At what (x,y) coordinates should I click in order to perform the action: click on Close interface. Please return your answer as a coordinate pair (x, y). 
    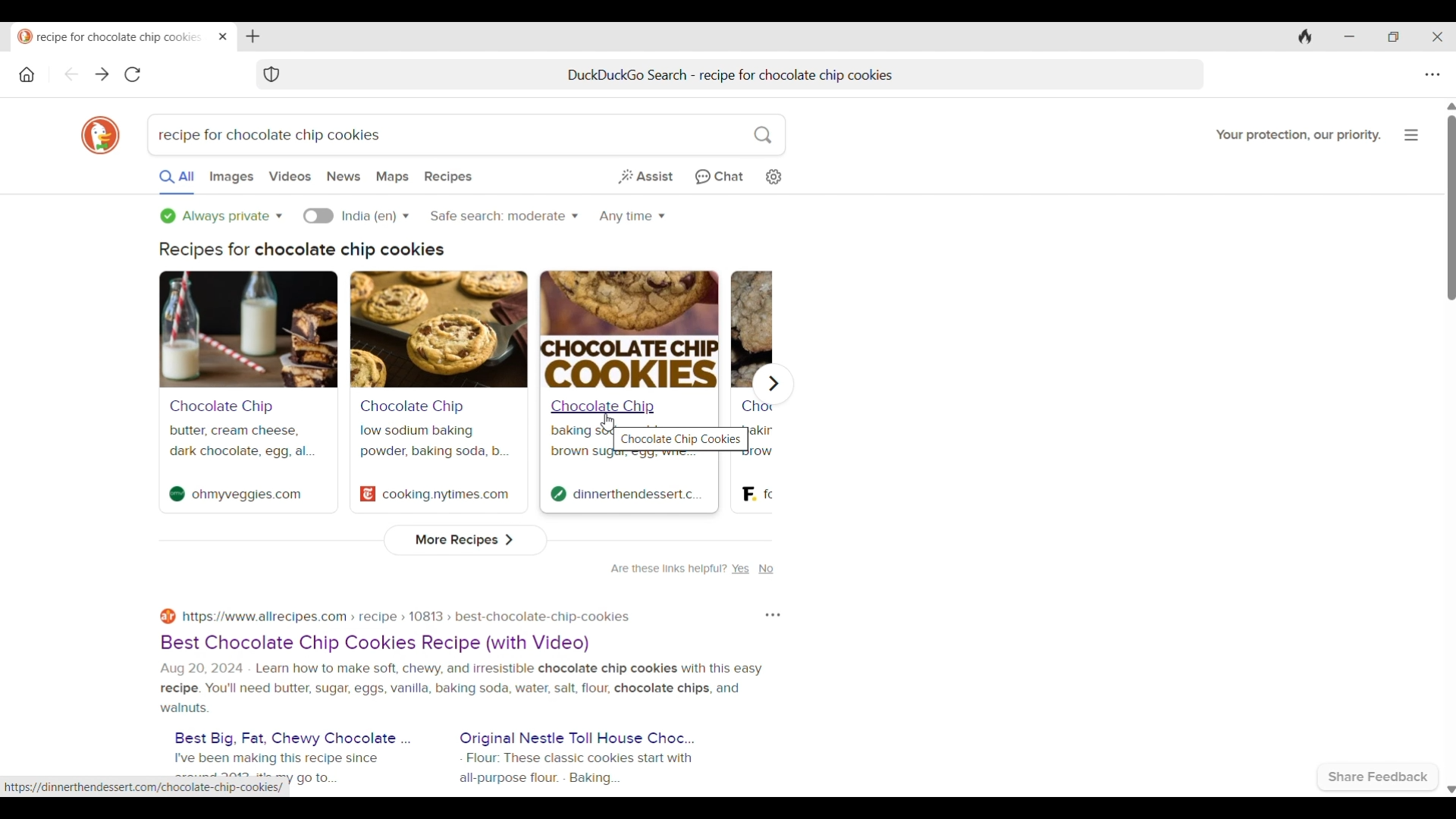
    Looking at the image, I should click on (1435, 38).